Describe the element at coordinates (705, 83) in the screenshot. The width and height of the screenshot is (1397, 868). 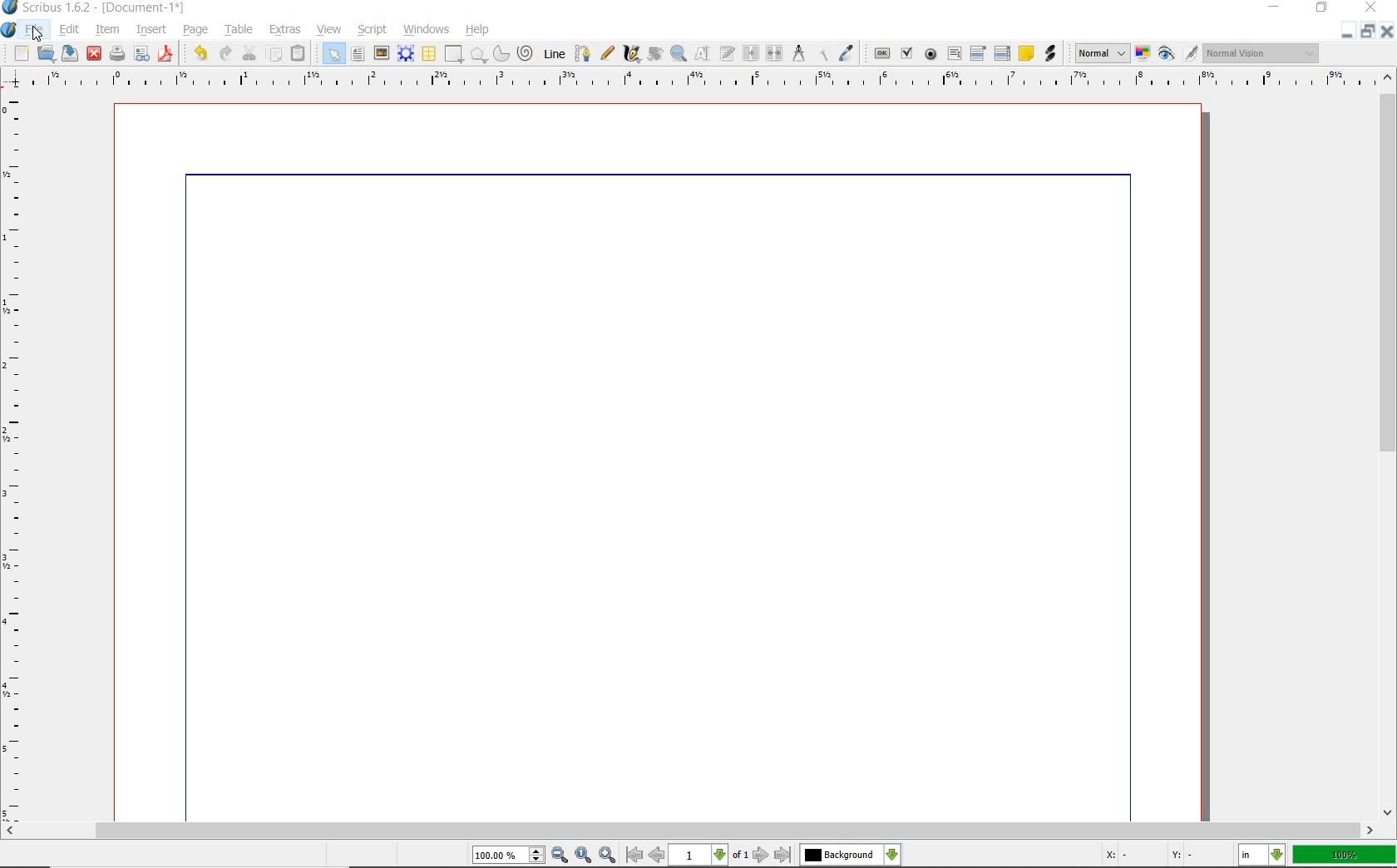
I see `ruler` at that location.